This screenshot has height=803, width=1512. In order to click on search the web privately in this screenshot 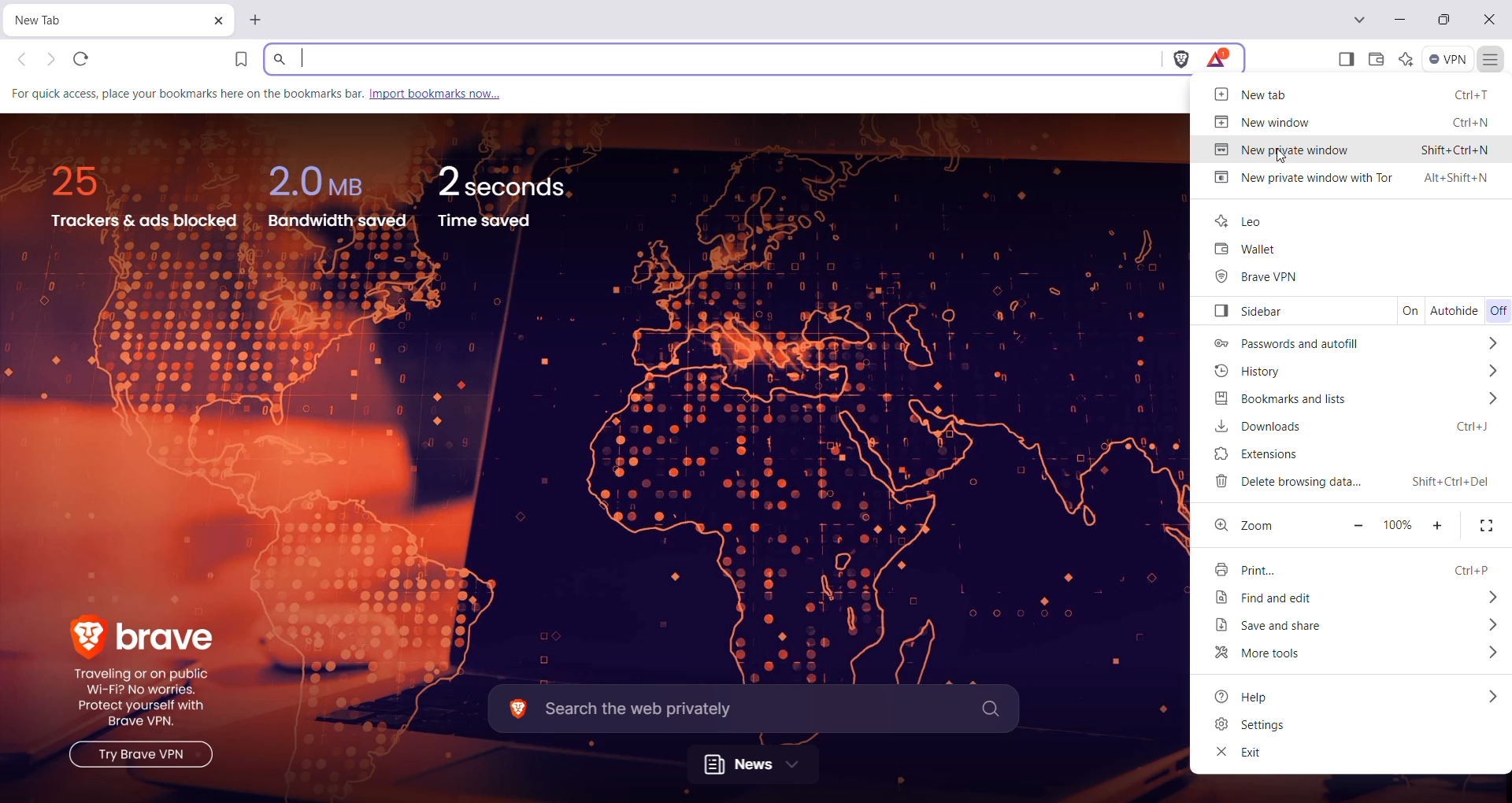, I will do `click(751, 709)`.